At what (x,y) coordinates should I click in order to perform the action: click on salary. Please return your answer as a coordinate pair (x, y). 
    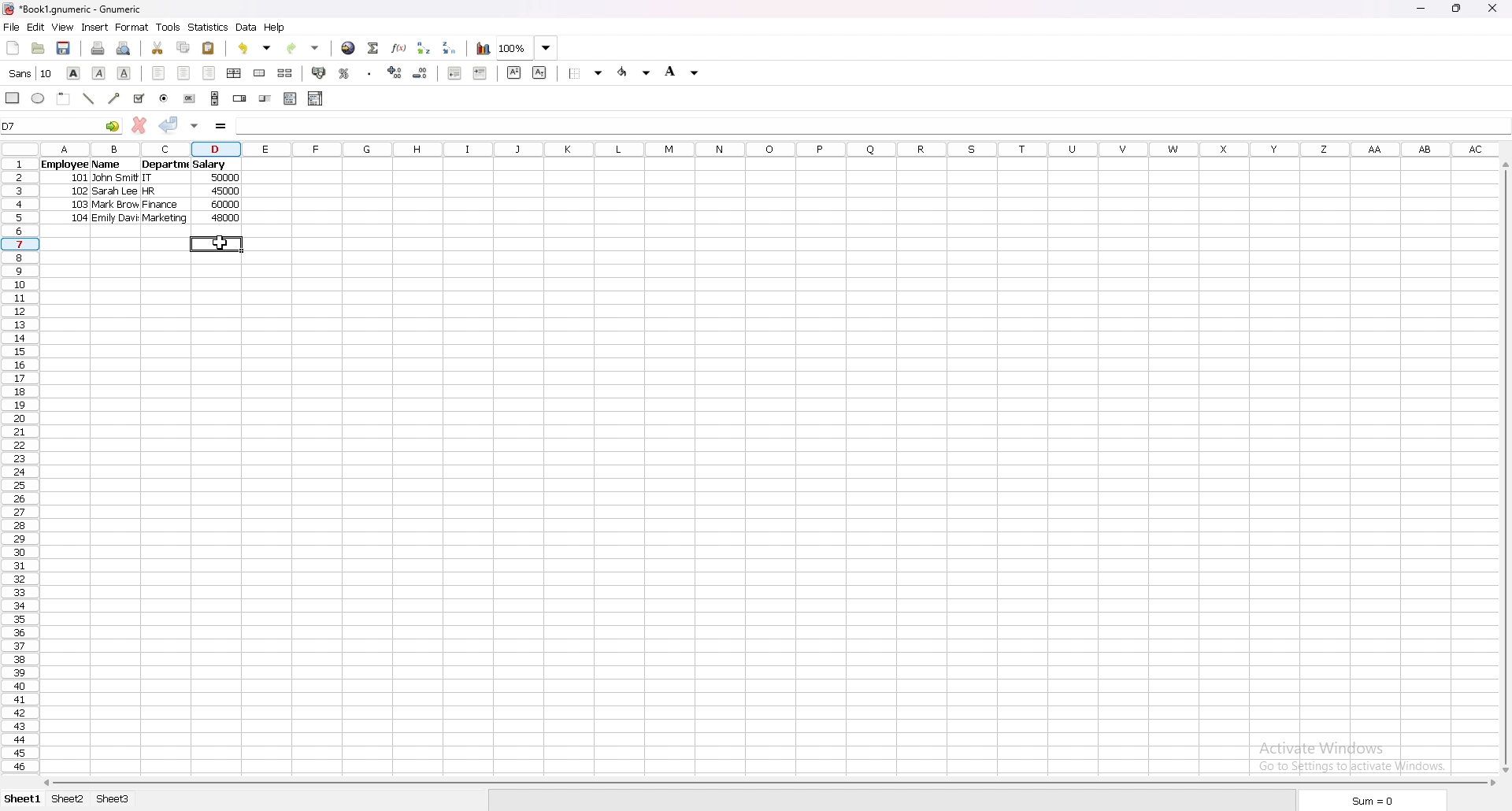
    Looking at the image, I should click on (210, 165).